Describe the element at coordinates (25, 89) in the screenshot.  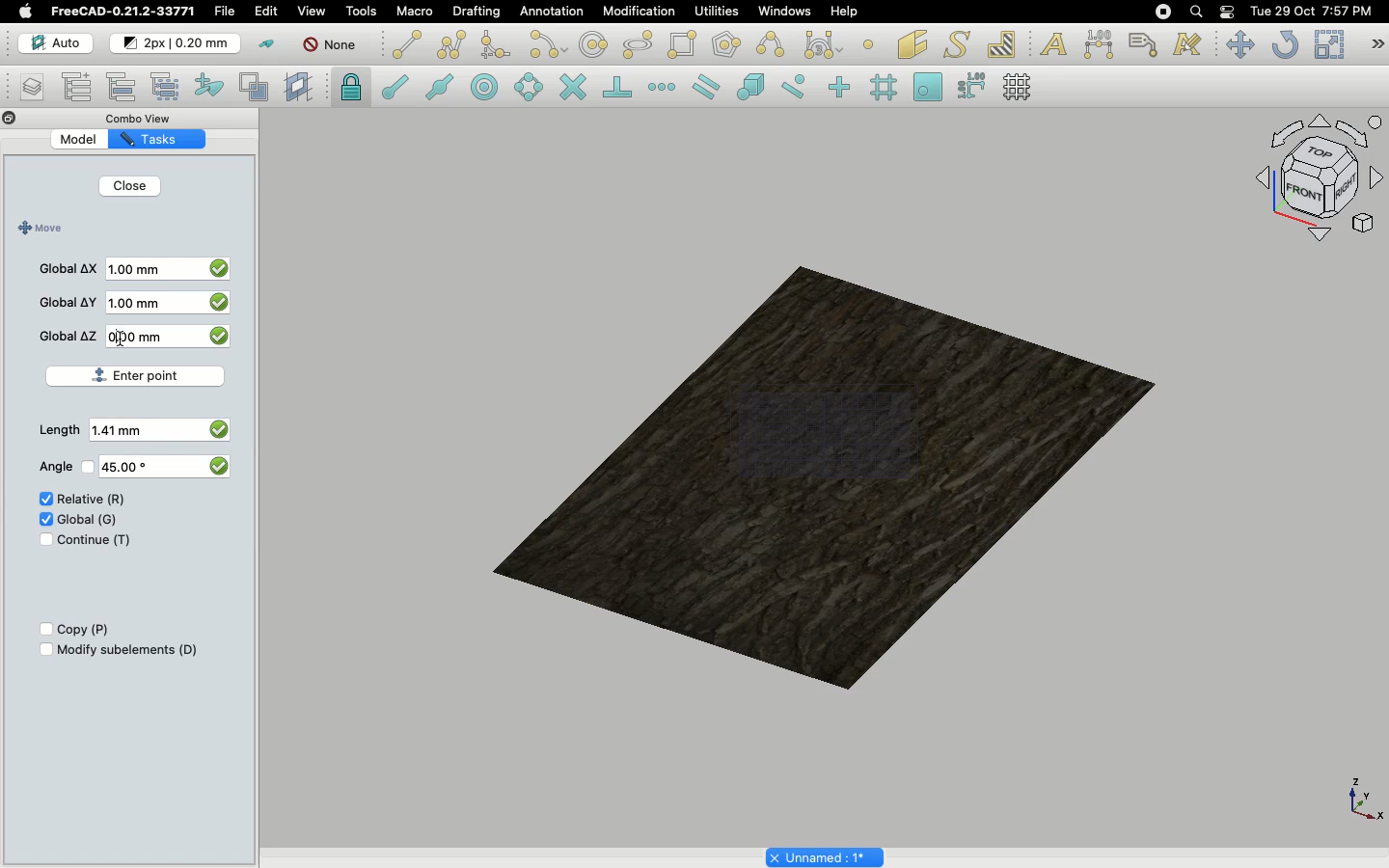
I see `Manage layers` at that location.